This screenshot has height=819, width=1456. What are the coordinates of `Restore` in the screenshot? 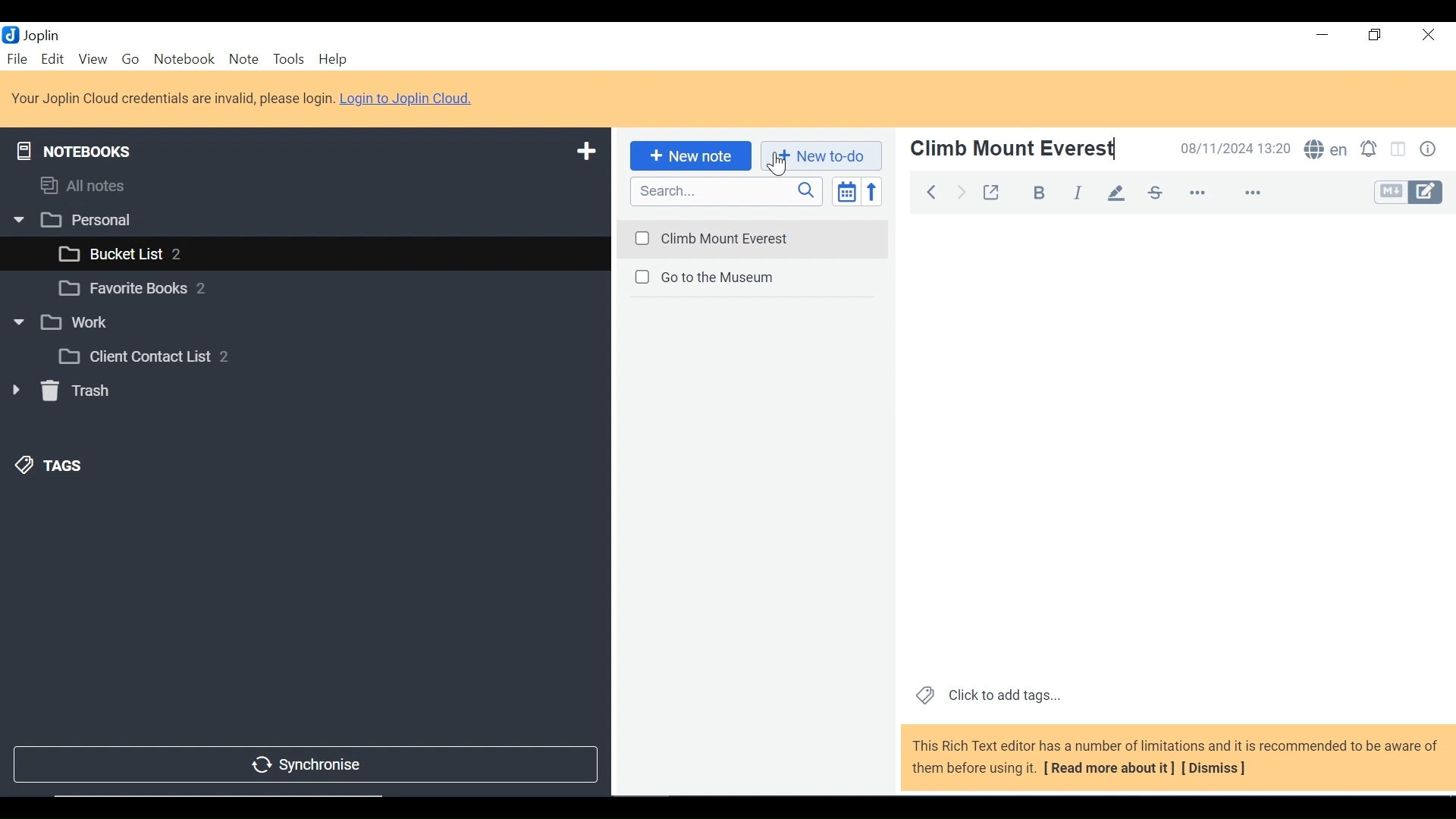 It's located at (1375, 37).